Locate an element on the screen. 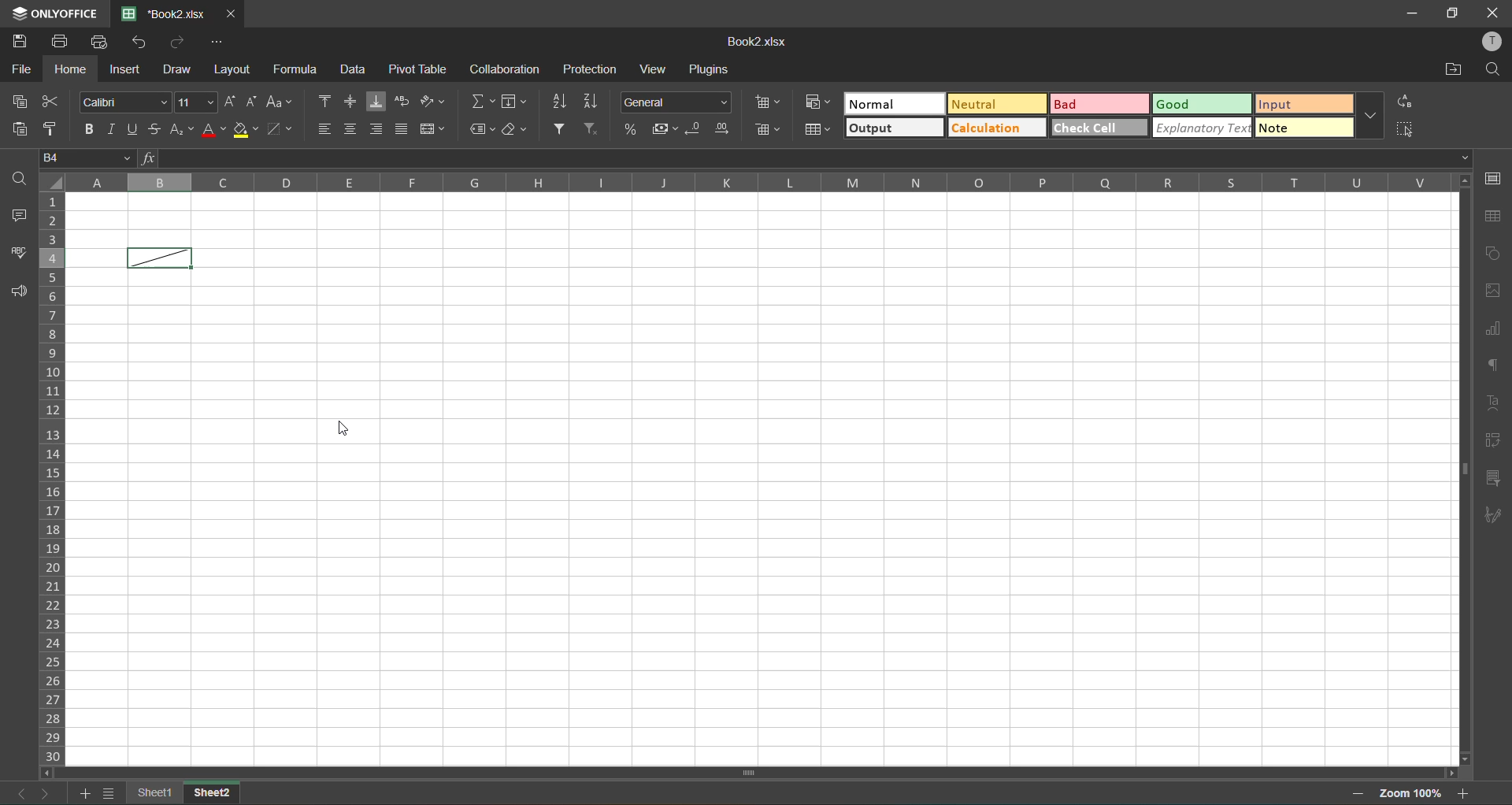  input is located at coordinates (1302, 104).